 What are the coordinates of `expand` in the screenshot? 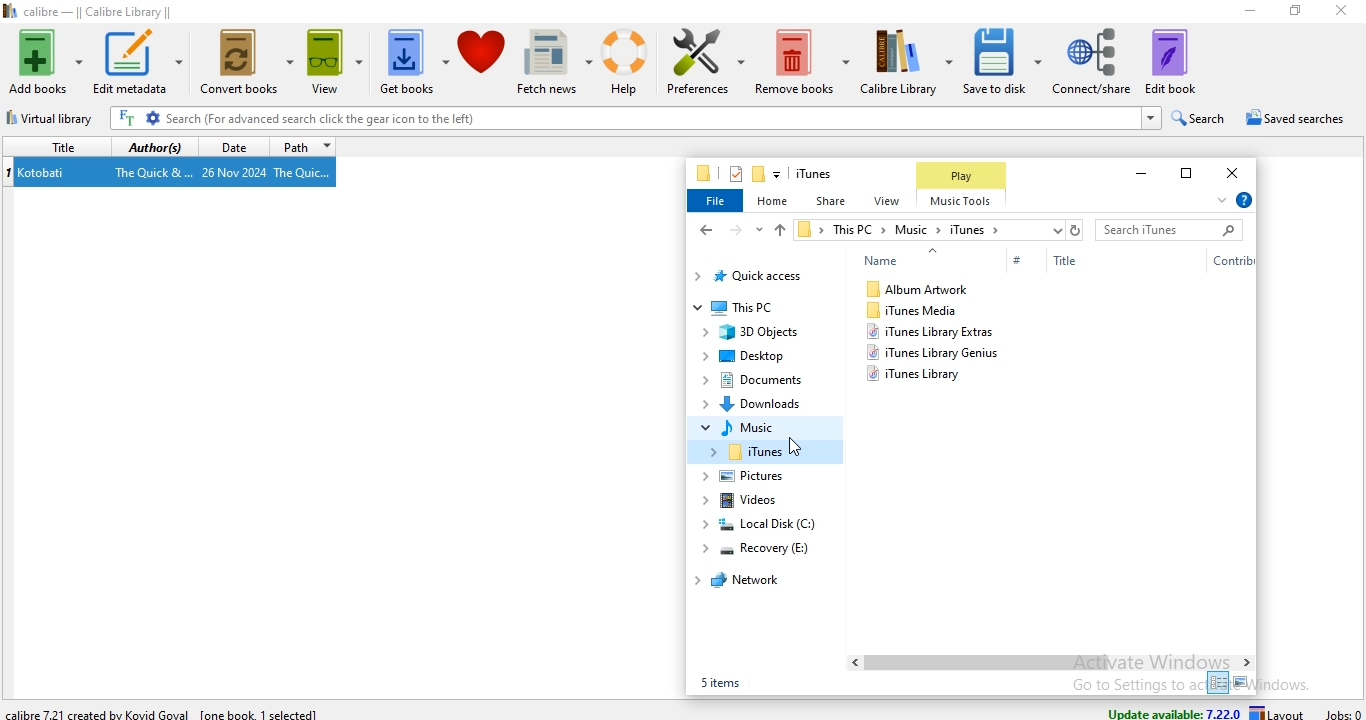 It's located at (1218, 203).